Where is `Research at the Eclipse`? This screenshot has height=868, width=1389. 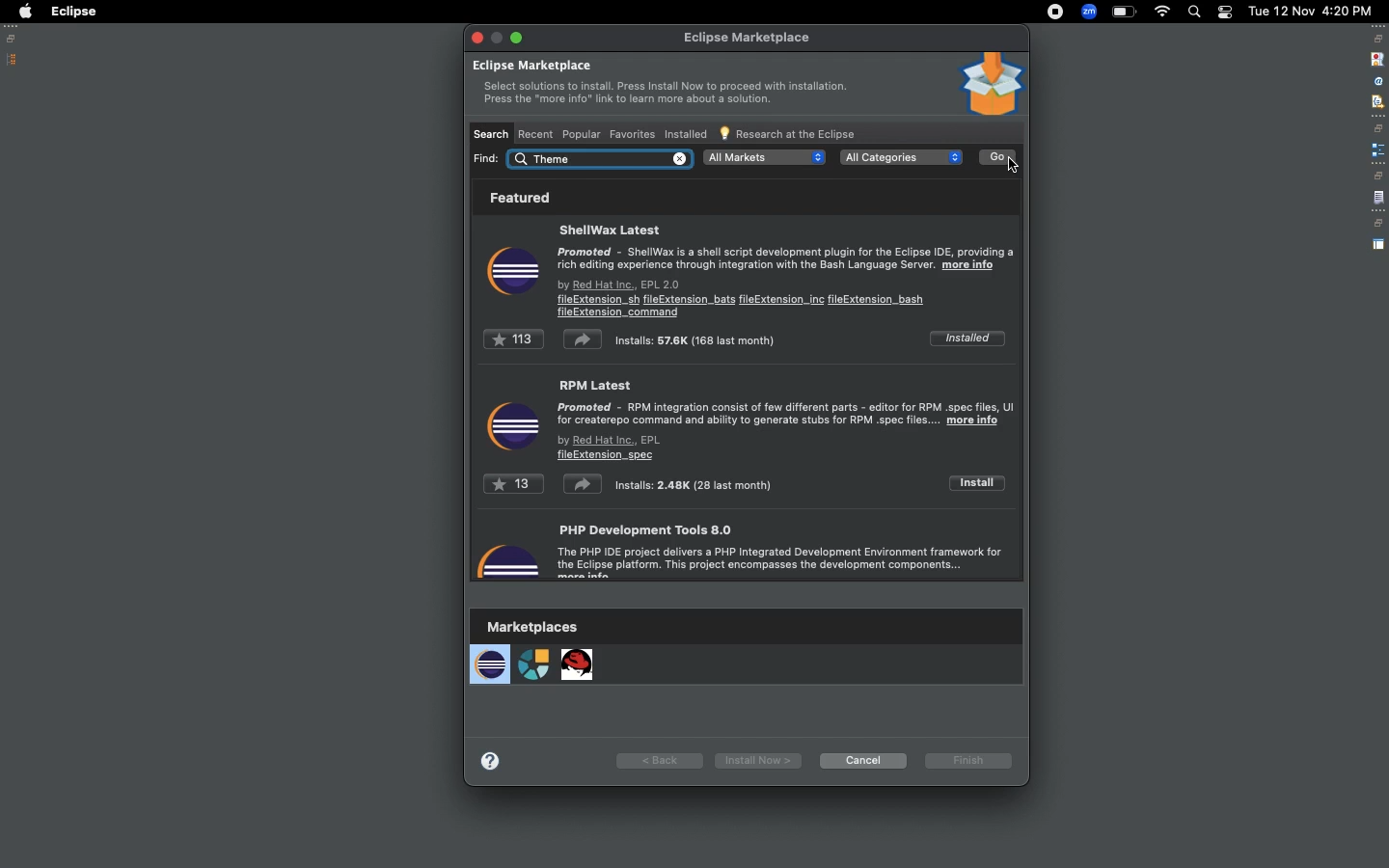 Research at the Eclipse is located at coordinates (788, 132).